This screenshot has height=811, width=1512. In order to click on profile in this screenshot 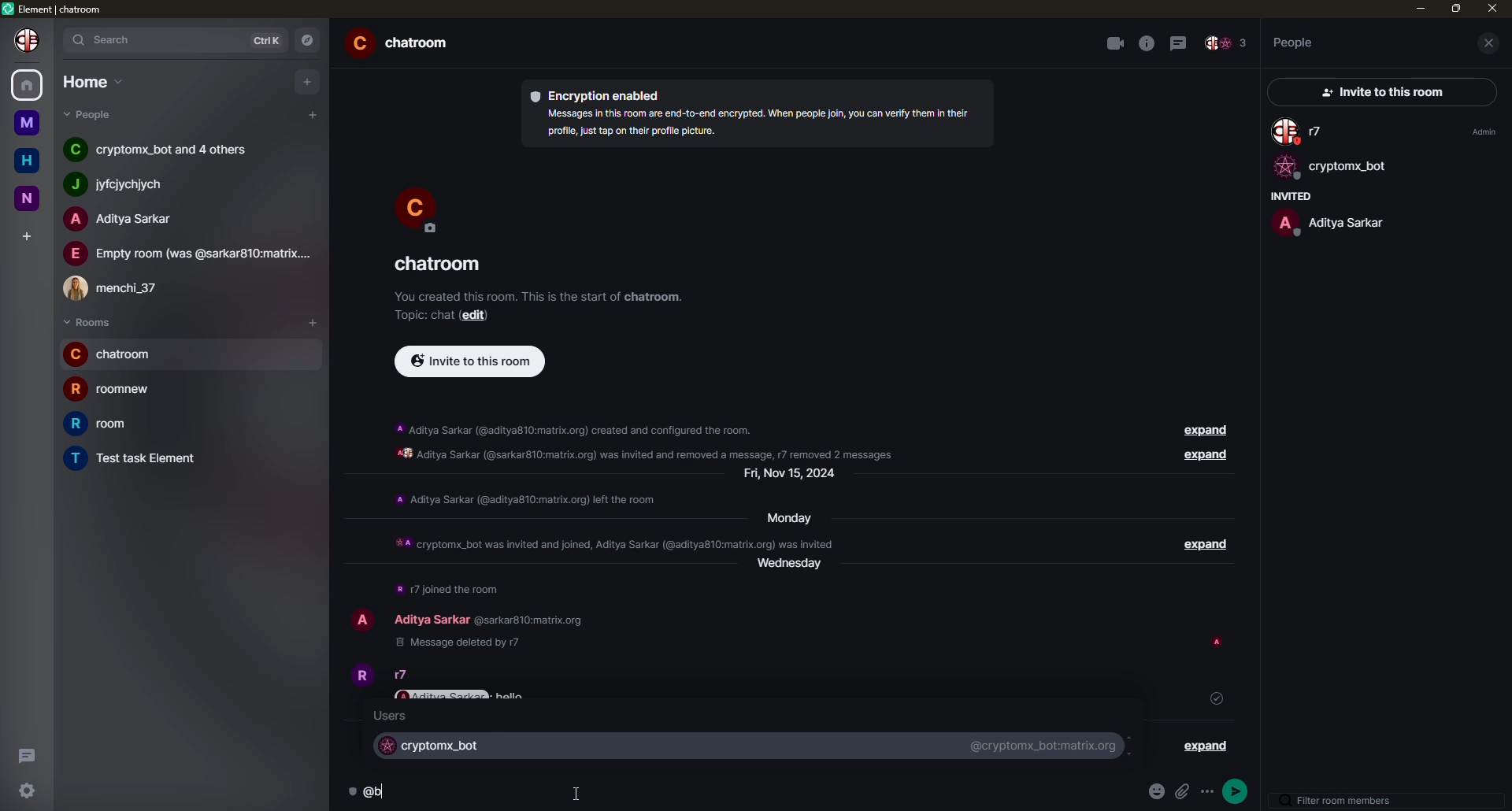, I will do `click(417, 208)`.